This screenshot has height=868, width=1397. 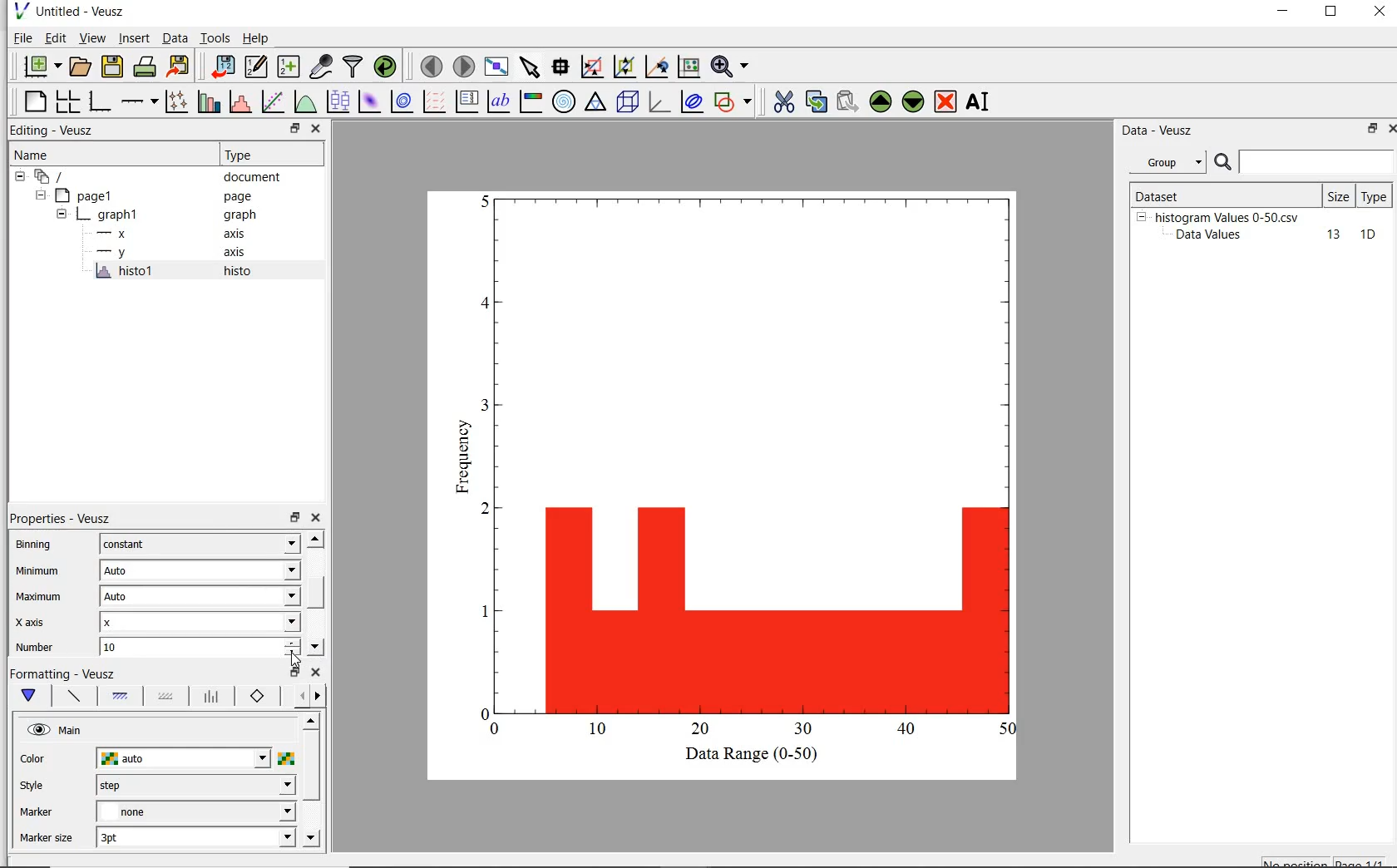 What do you see at coordinates (1284, 13) in the screenshot?
I see `minimize` at bounding box center [1284, 13].